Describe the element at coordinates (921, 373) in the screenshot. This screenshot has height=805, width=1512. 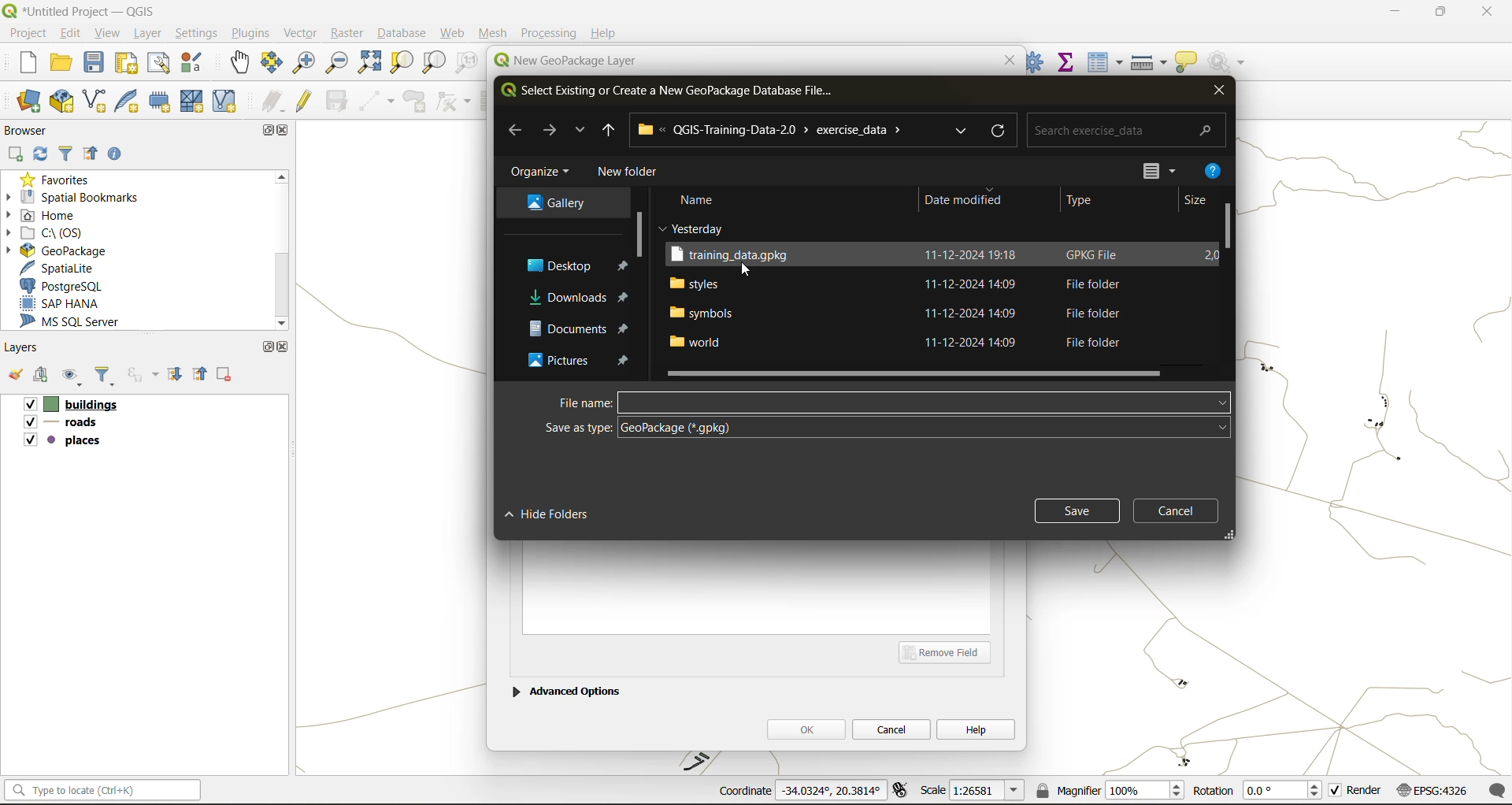
I see `Scroll Bar` at that location.